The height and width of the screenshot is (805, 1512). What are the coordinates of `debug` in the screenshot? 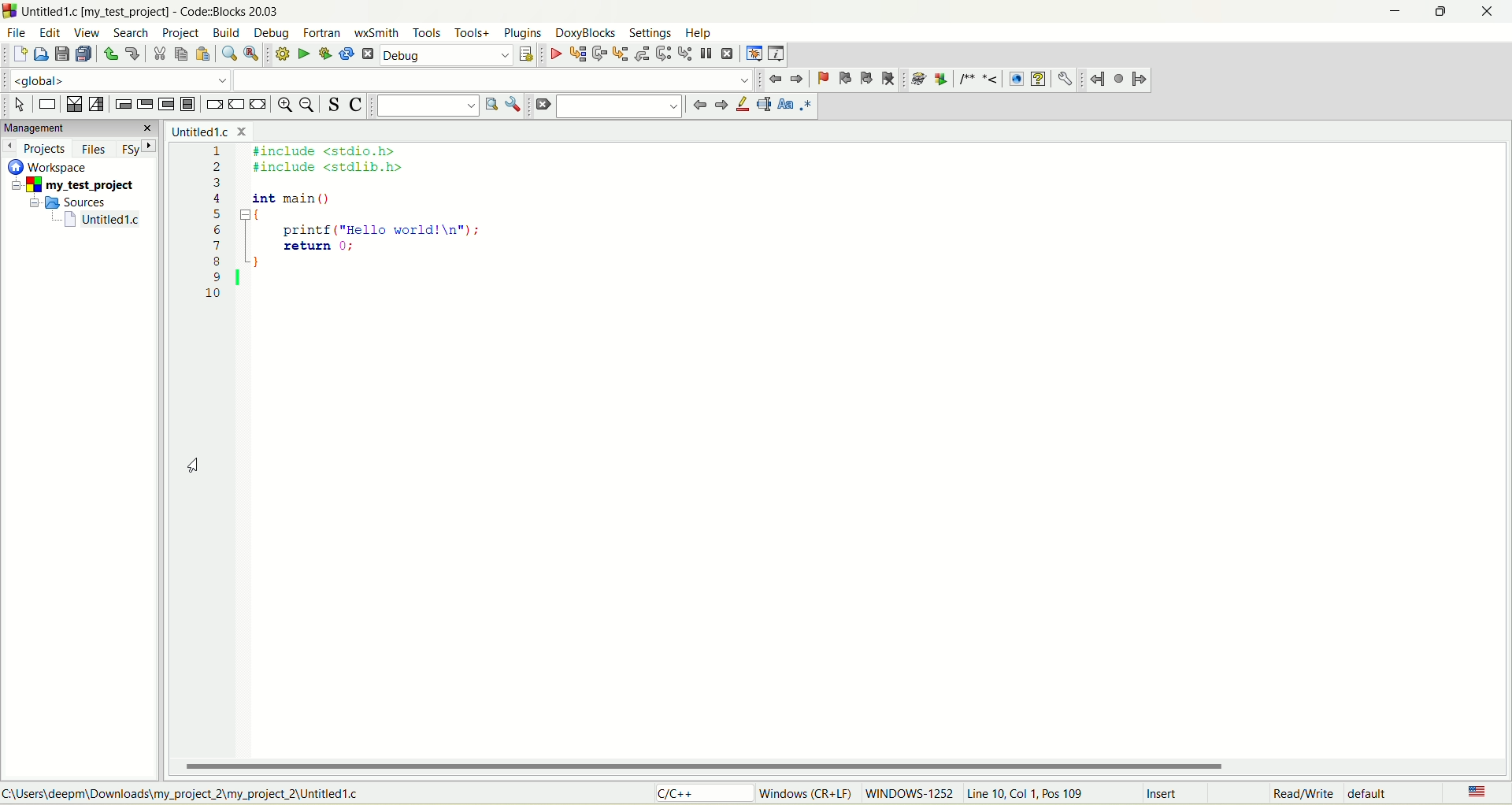 It's located at (554, 54).